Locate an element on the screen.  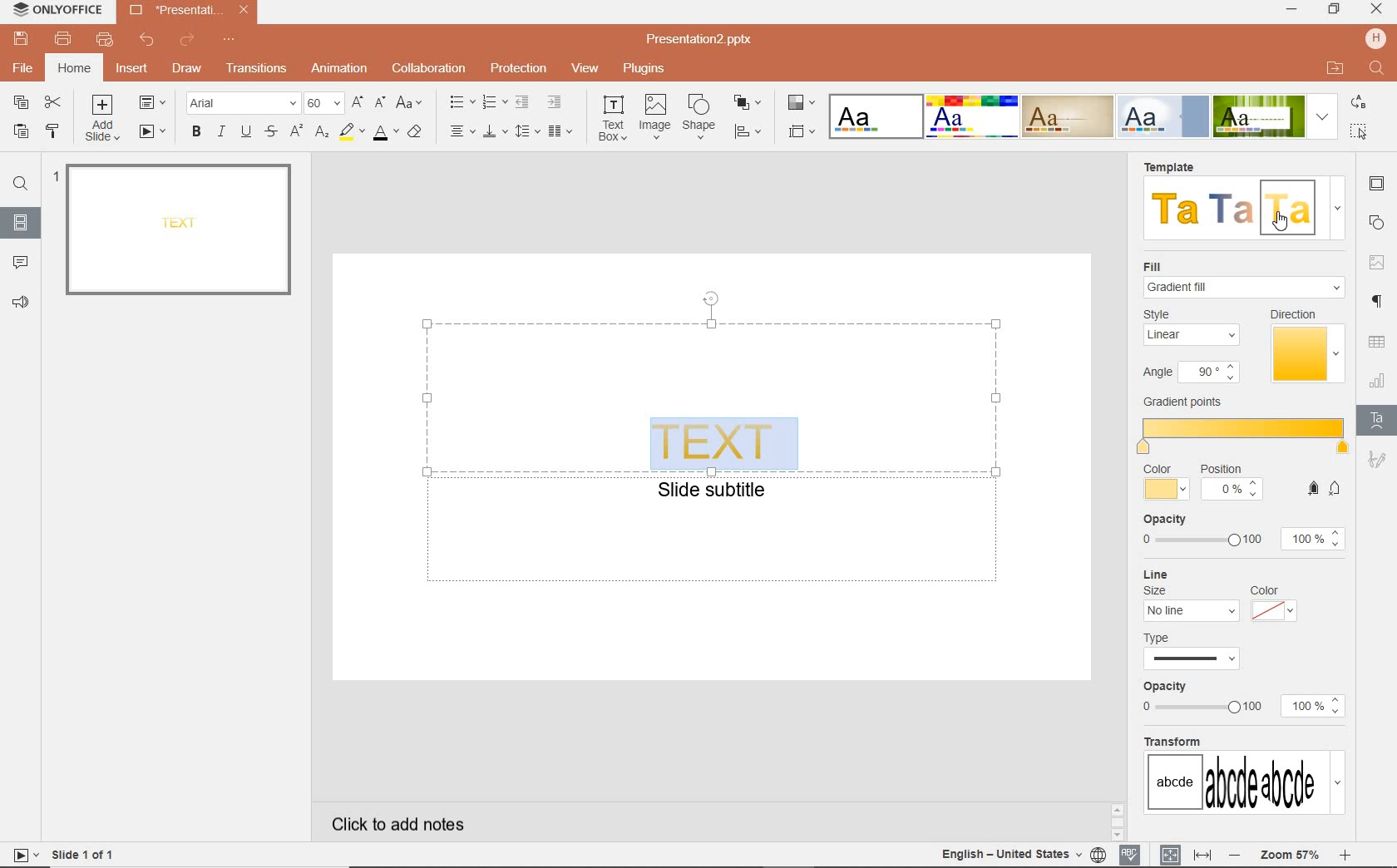
close is located at coordinates (243, 11).